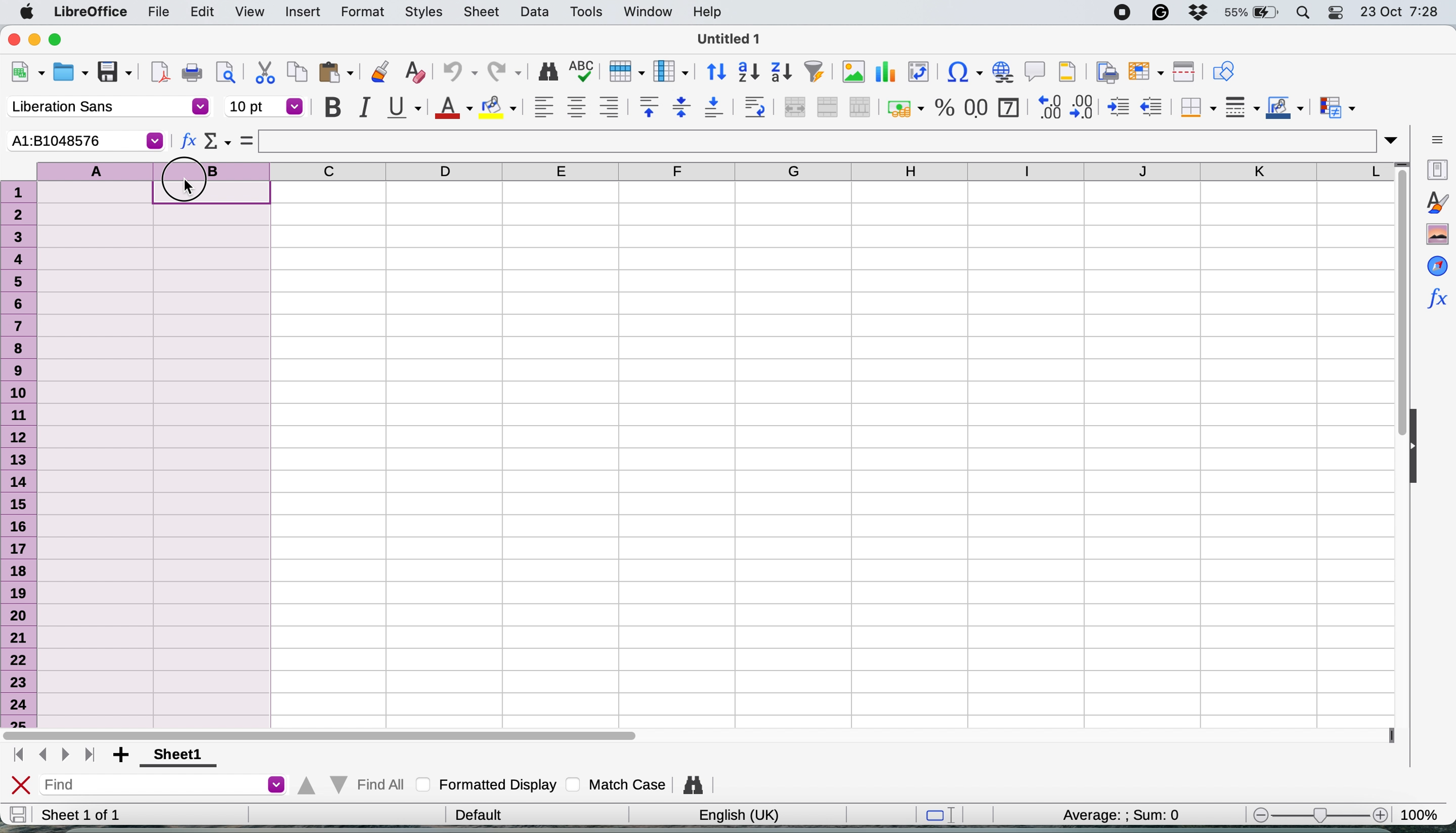 The height and width of the screenshot is (833, 1456). What do you see at coordinates (1105, 72) in the screenshot?
I see `define print area` at bounding box center [1105, 72].